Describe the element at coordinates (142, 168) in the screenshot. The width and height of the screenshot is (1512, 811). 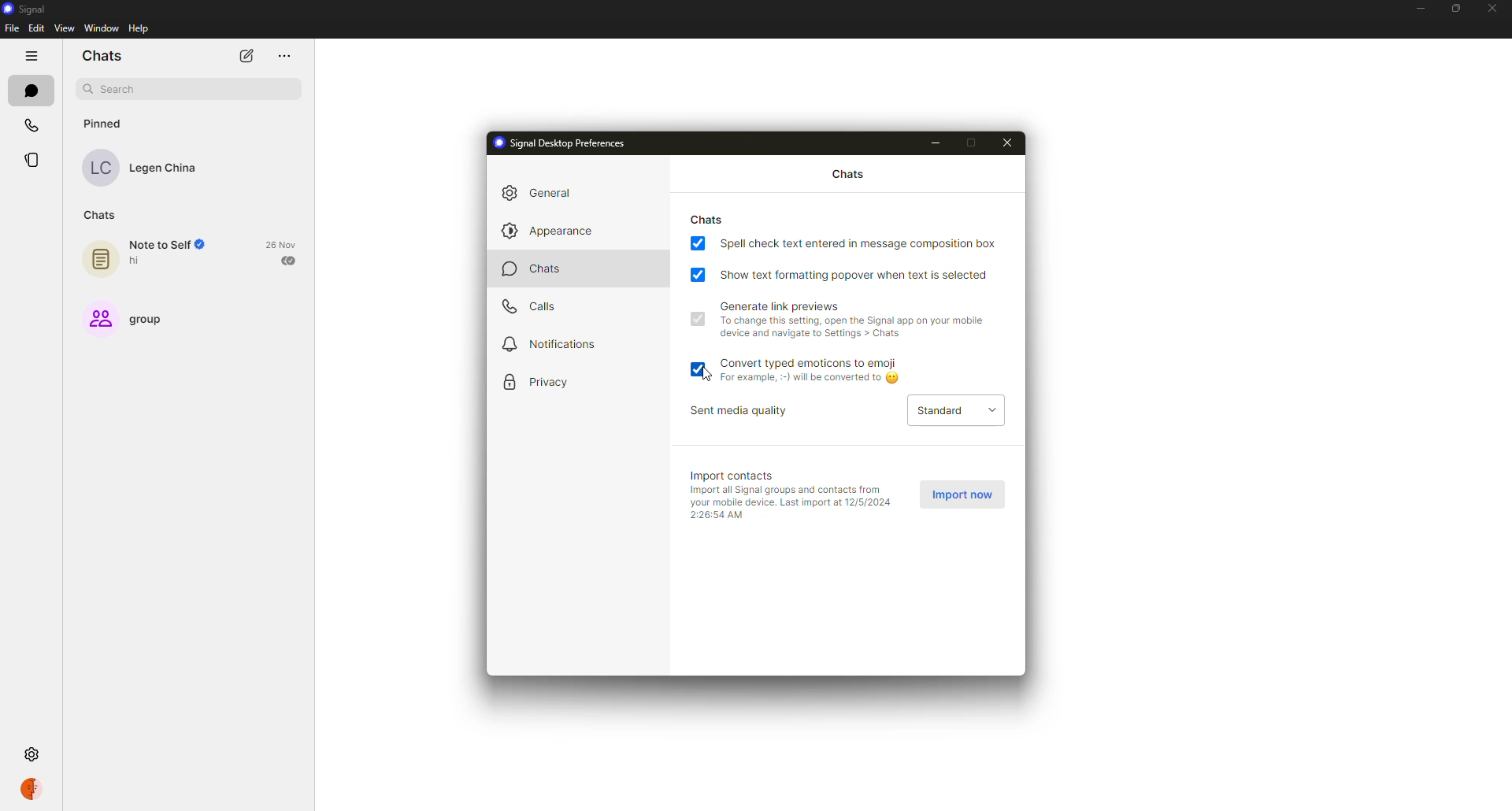
I see `contact` at that location.